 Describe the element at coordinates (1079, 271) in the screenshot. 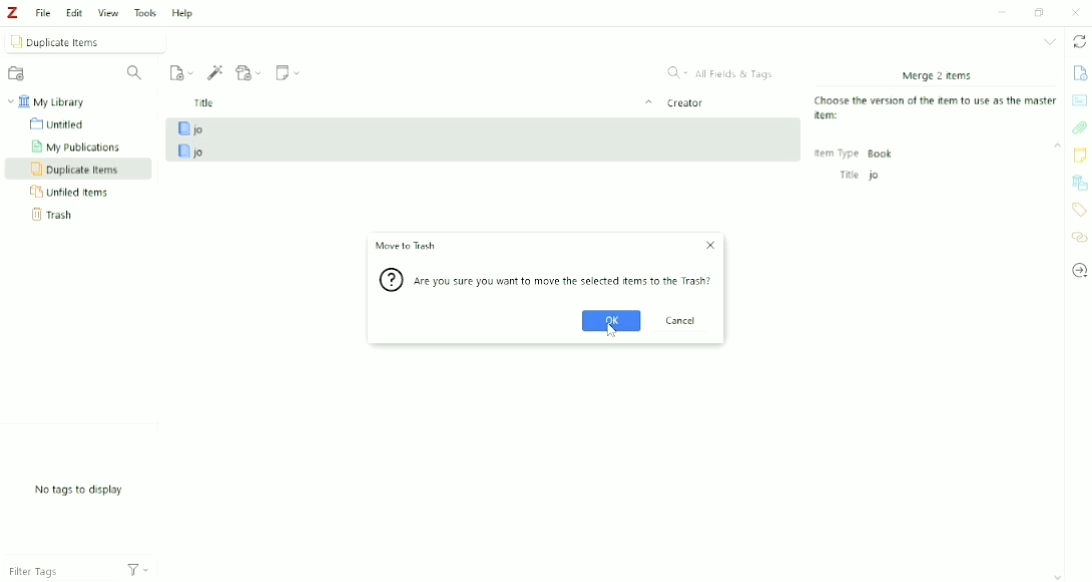

I see `Locate` at that location.